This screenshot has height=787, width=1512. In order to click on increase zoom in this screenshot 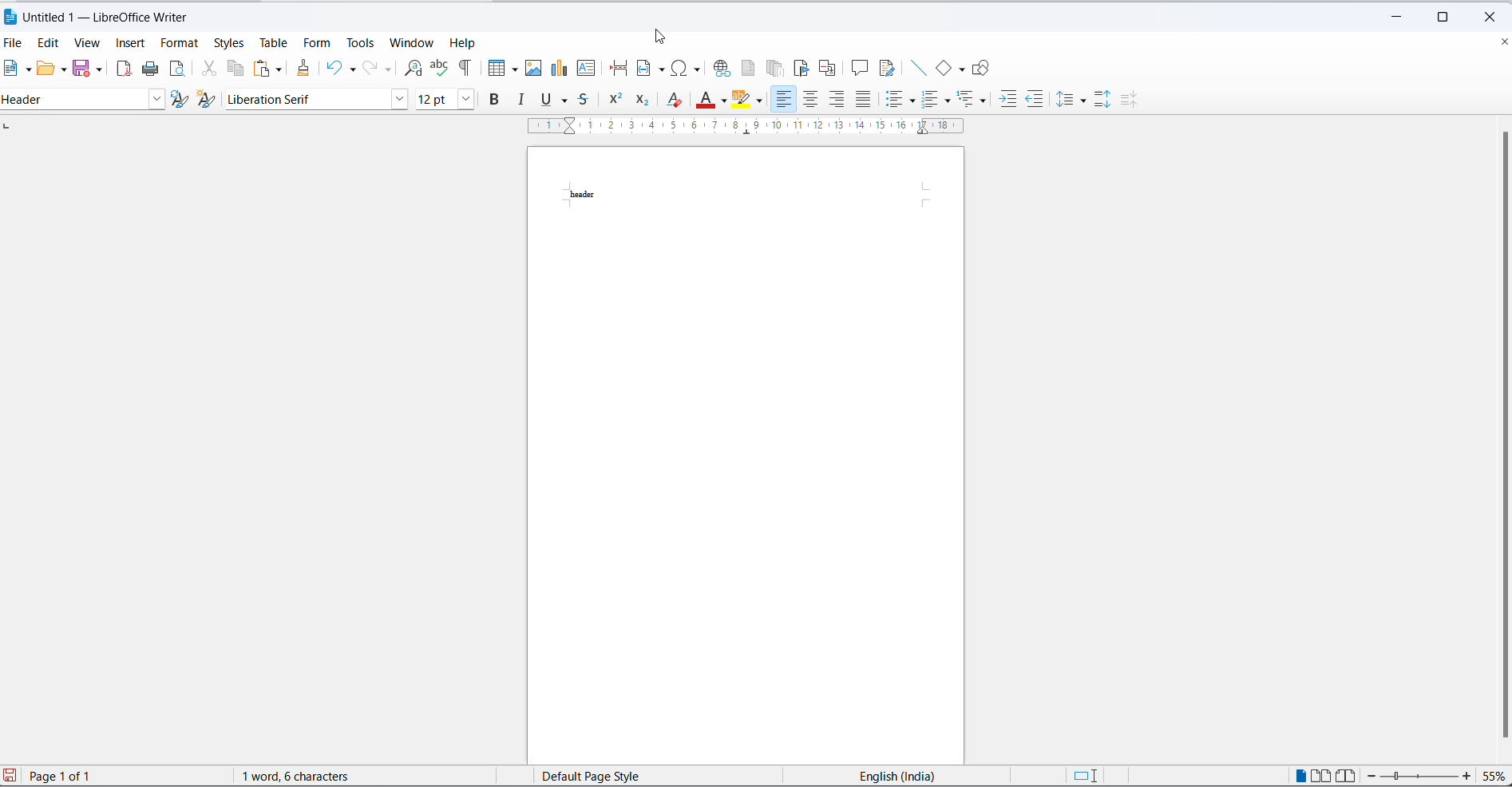, I will do `click(1467, 777)`.